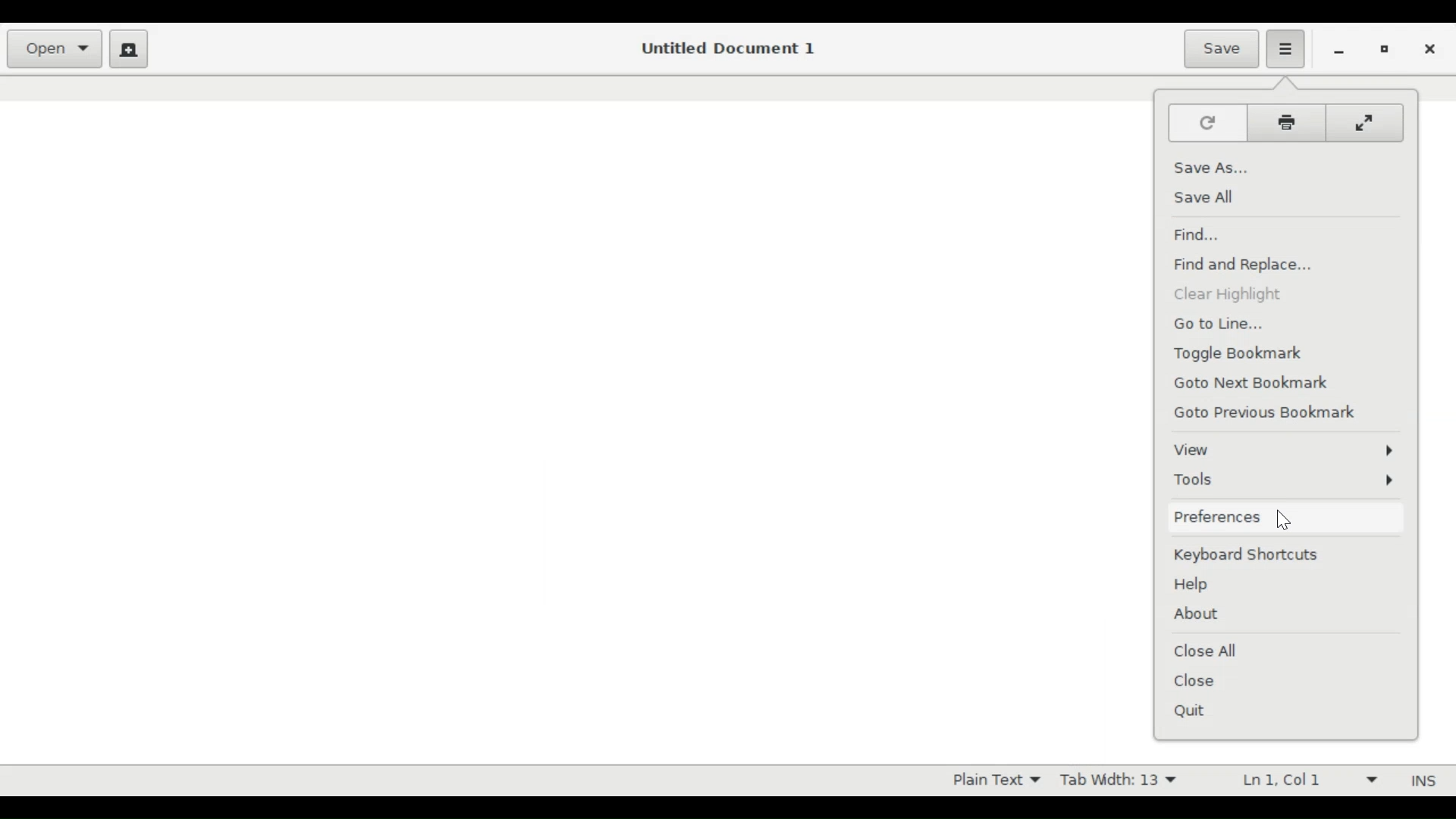 Image resolution: width=1456 pixels, height=819 pixels. I want to click on close, so click(1428, 48).